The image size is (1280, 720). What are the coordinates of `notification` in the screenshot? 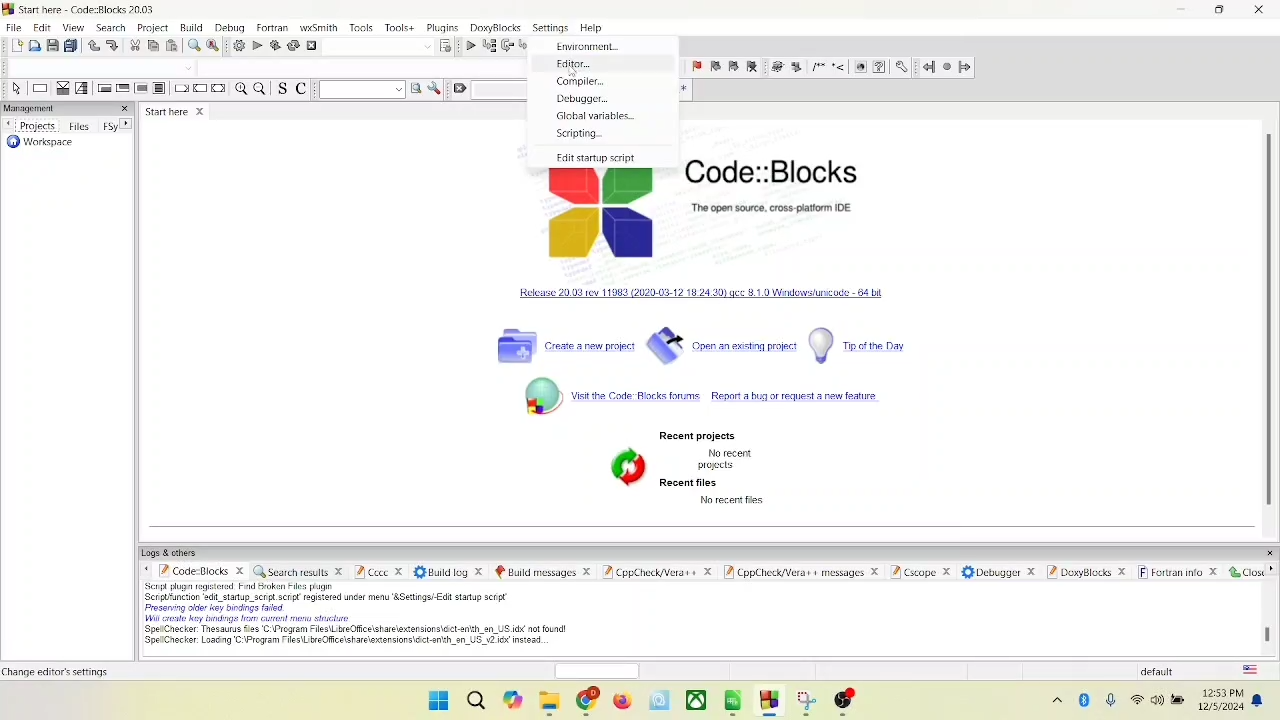 It's located at (1260, 700).